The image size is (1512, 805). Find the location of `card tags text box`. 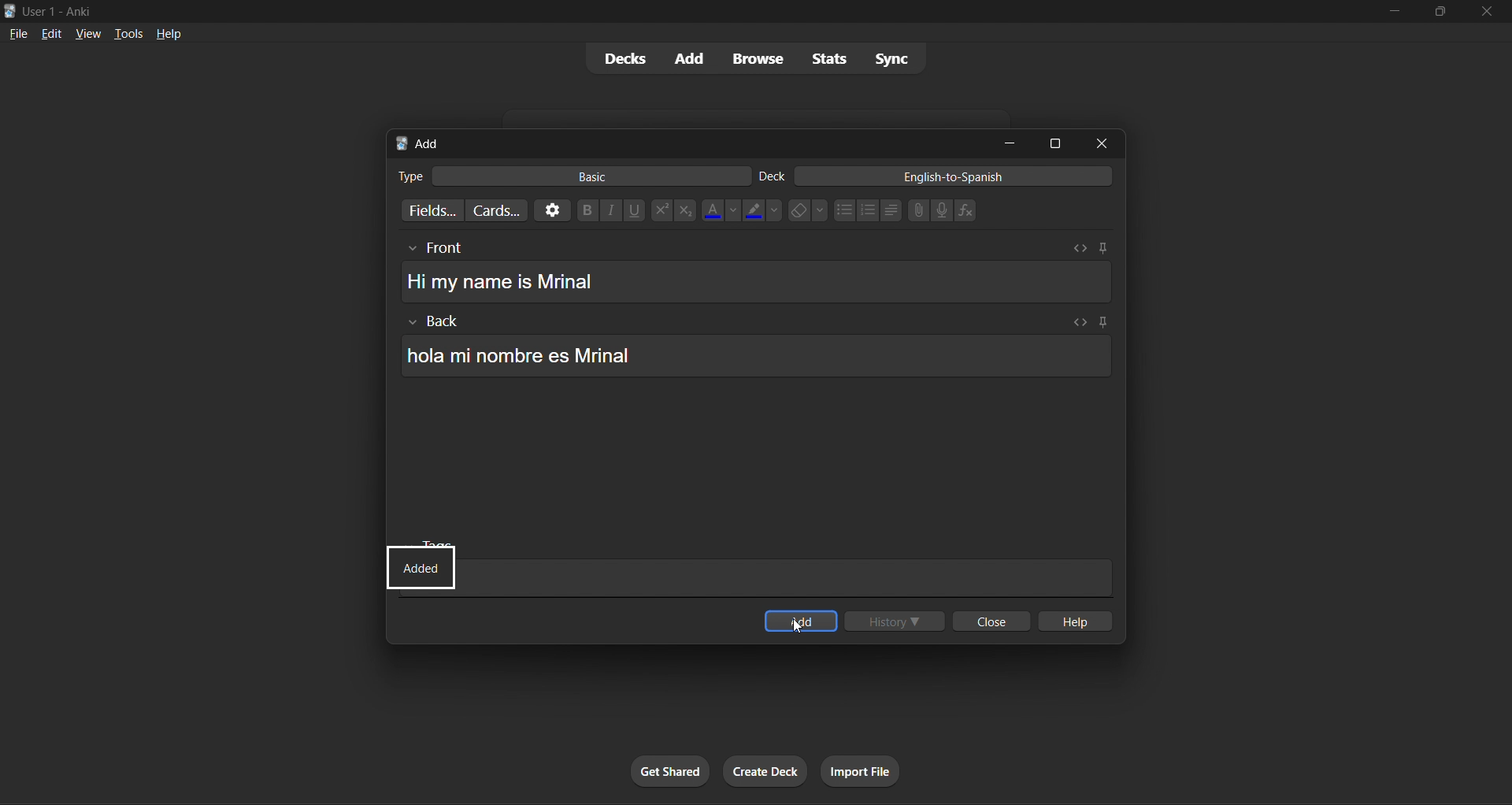

card tags text box is located at coordinates (754, 568).